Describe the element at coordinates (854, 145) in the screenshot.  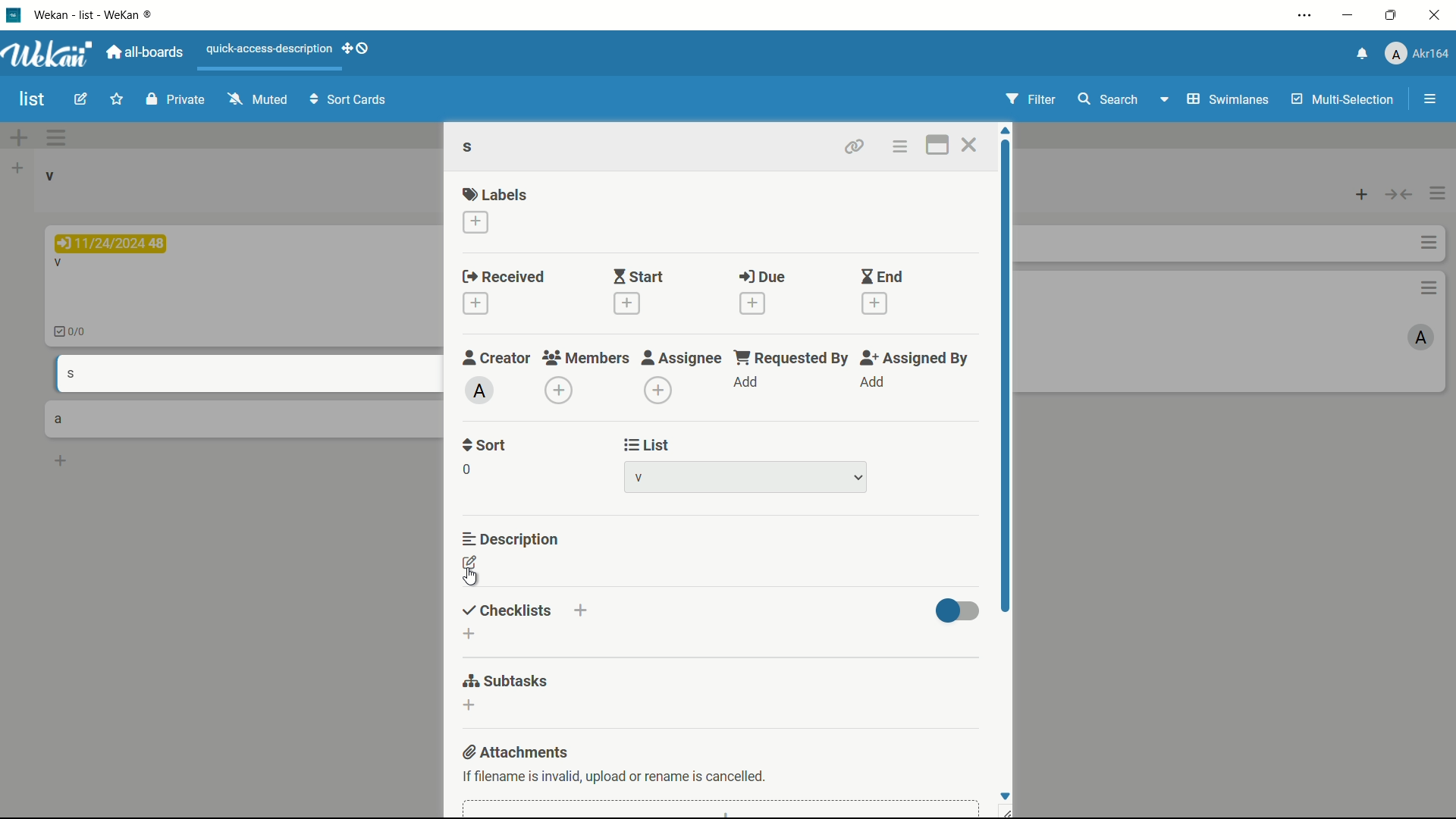
I see `copy card link to clipboard` at that location.